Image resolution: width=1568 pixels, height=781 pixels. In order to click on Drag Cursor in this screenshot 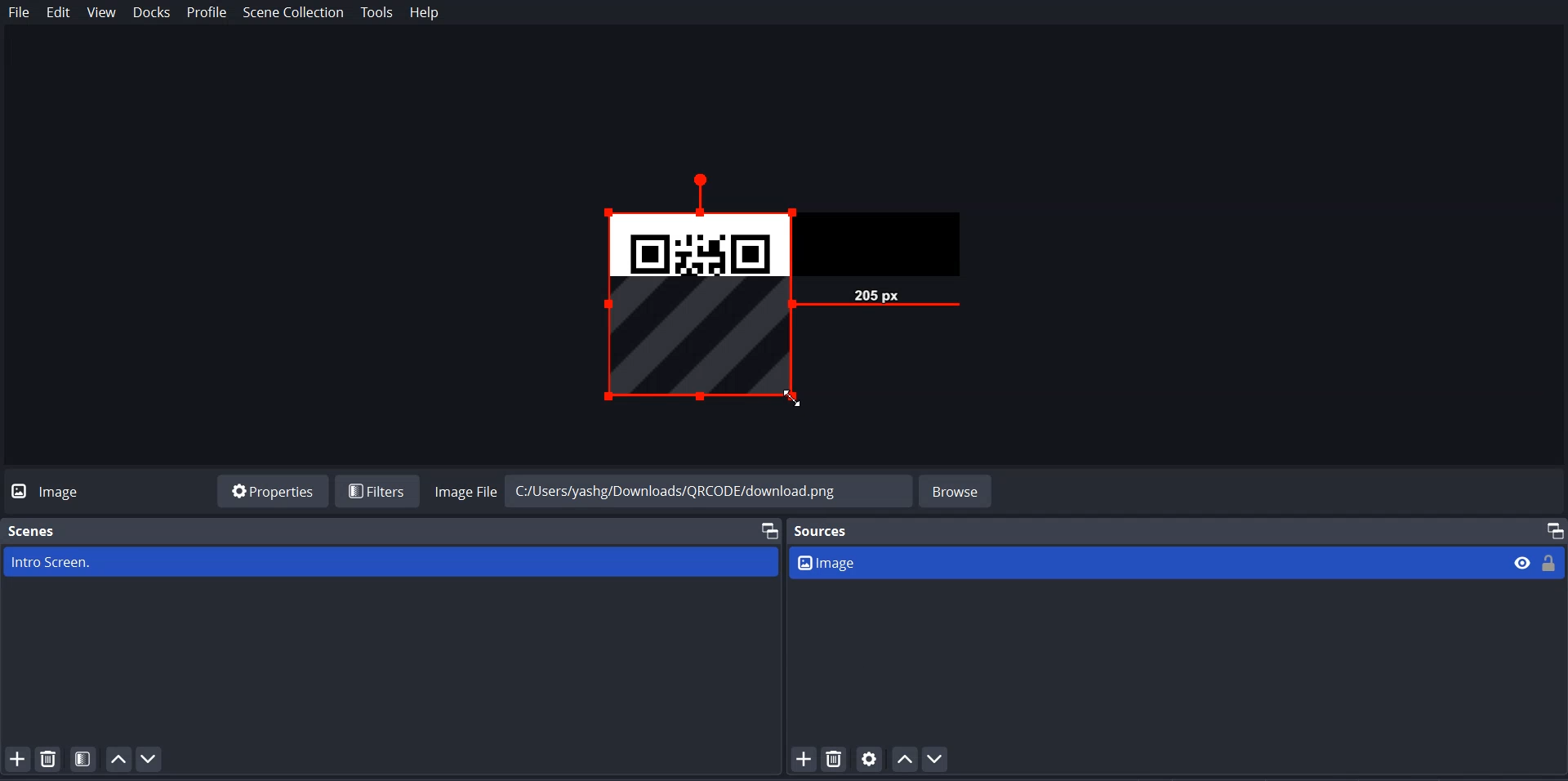, I will do `click(791, 397)`.